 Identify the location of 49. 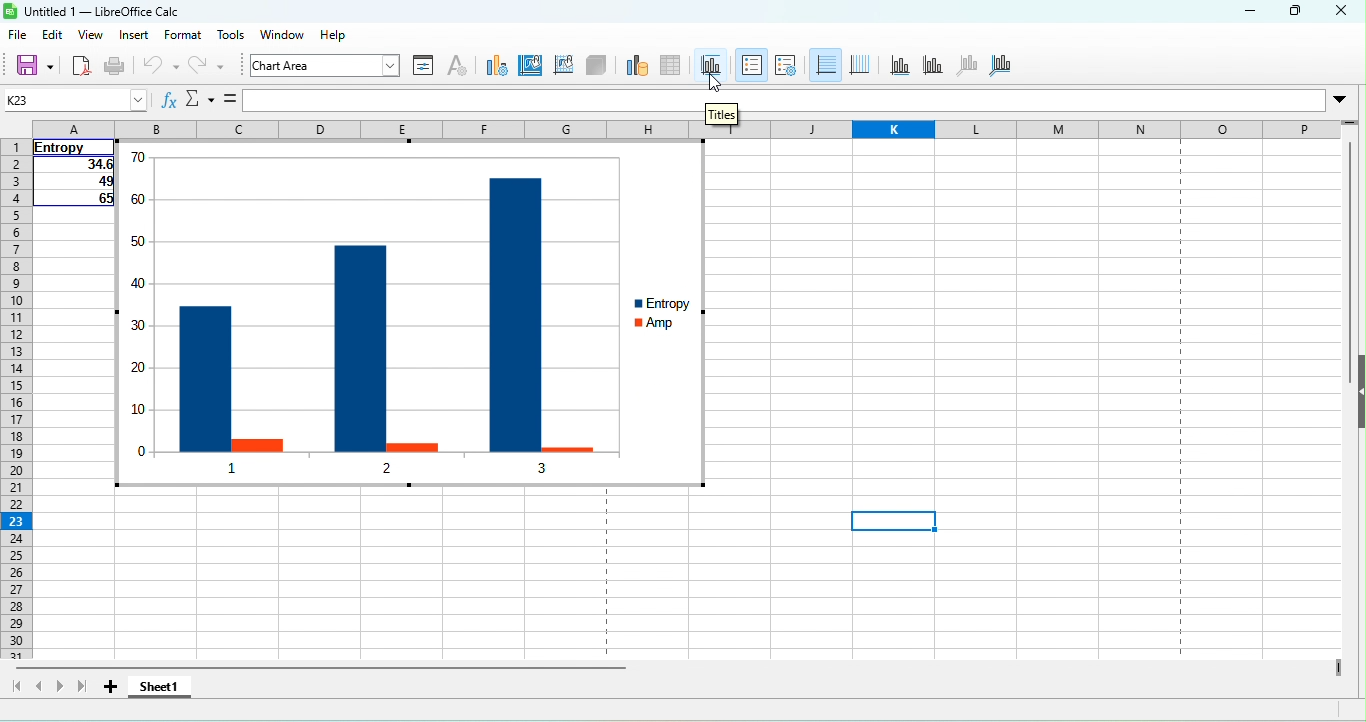
(76, 183).